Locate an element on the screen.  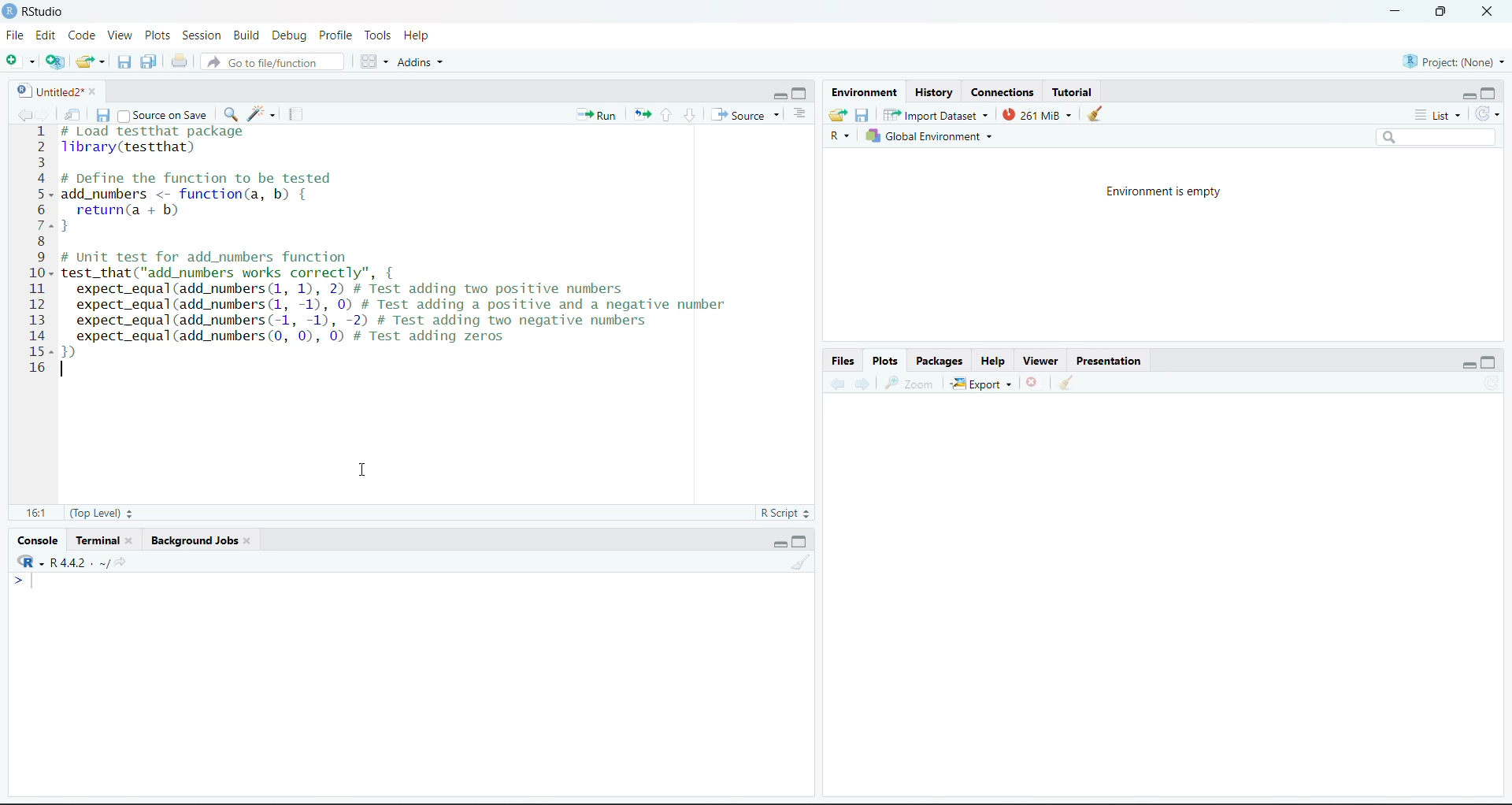
# DeTine the Tunction to be tested

add_numbers <- function(a, b) {
return(a + b)

} is located at coordinates (198, 204).